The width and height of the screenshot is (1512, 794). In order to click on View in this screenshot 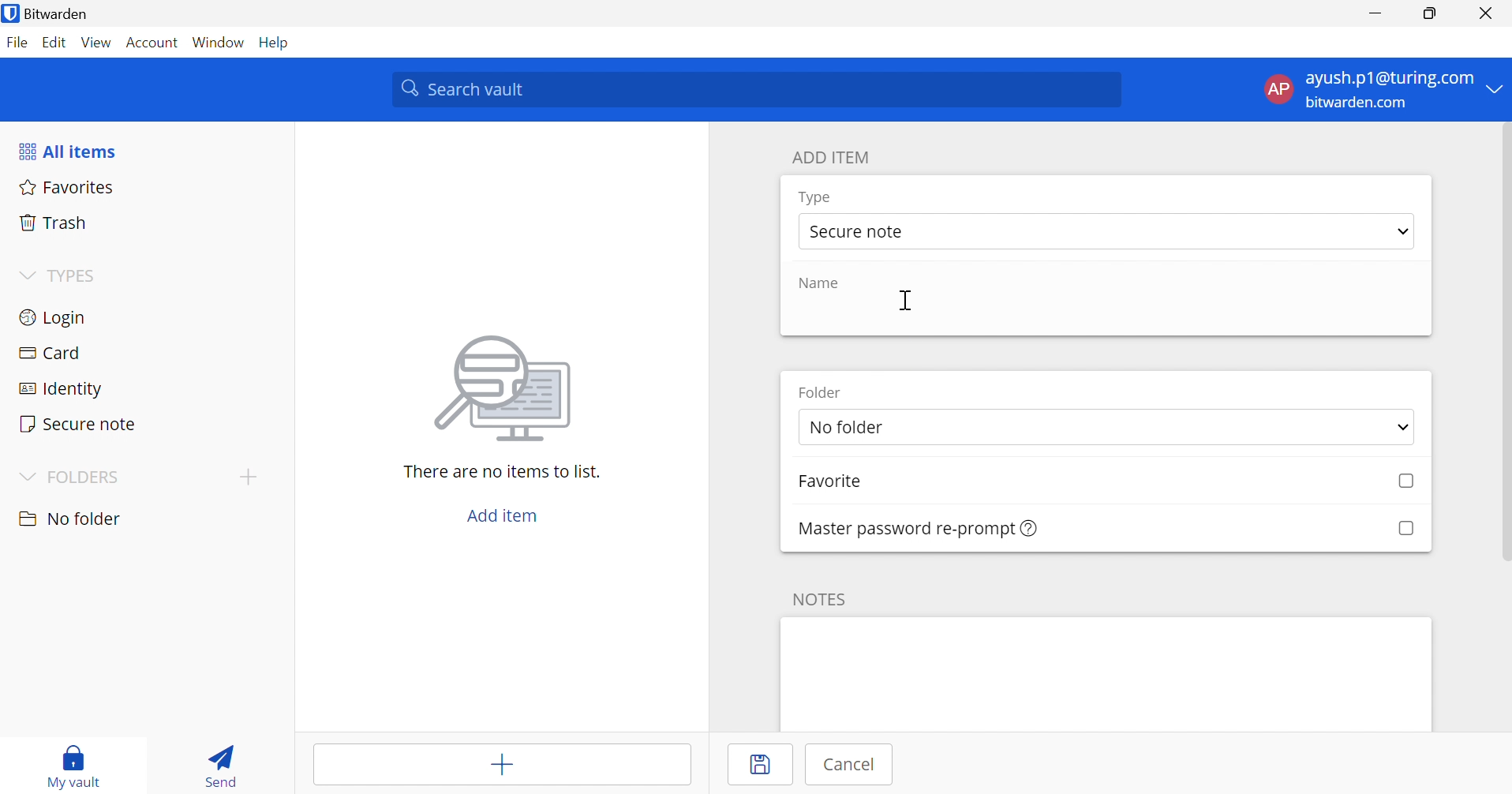, I will do `click(96, 42)`.